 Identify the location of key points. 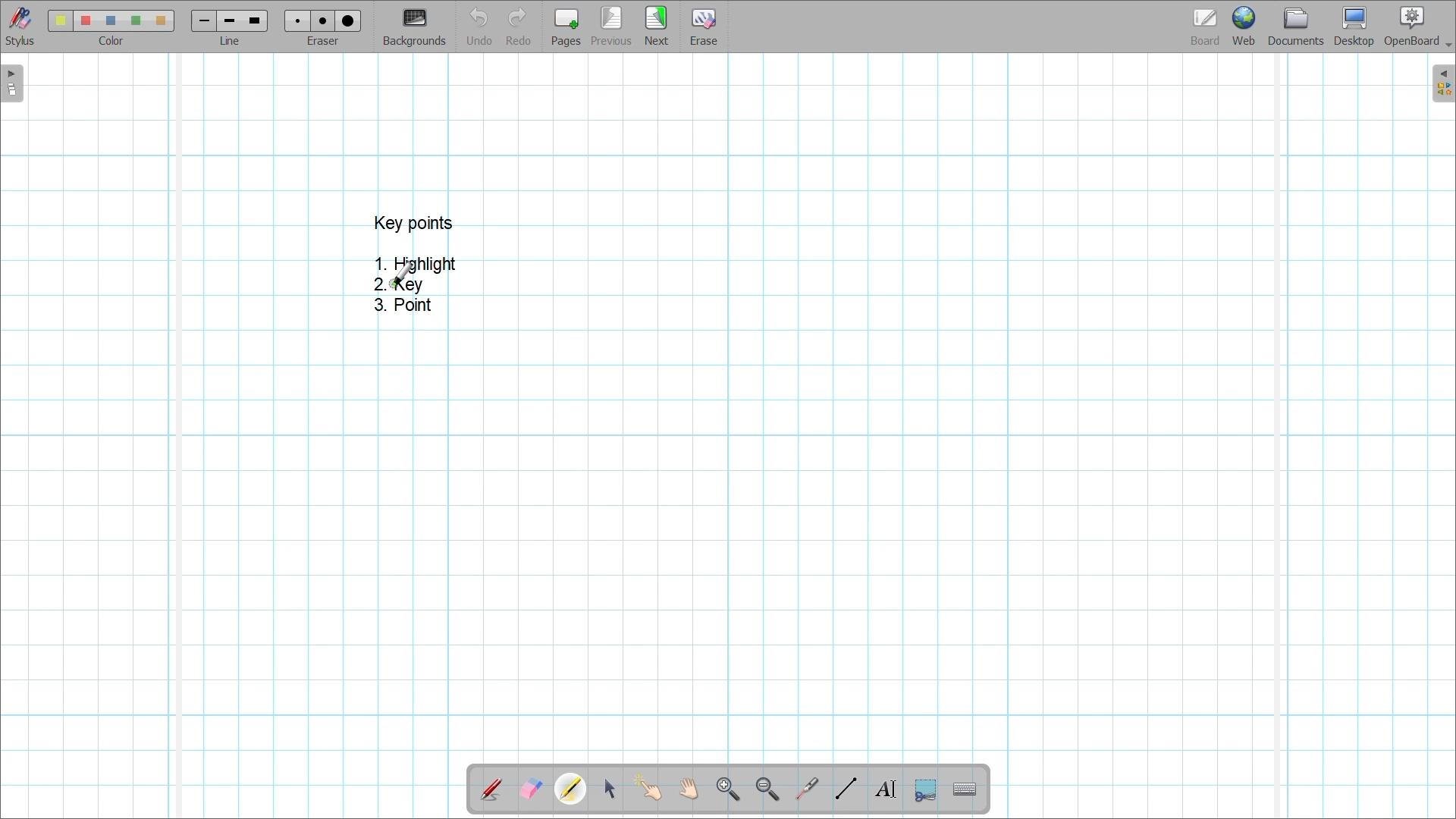
(414, 222).